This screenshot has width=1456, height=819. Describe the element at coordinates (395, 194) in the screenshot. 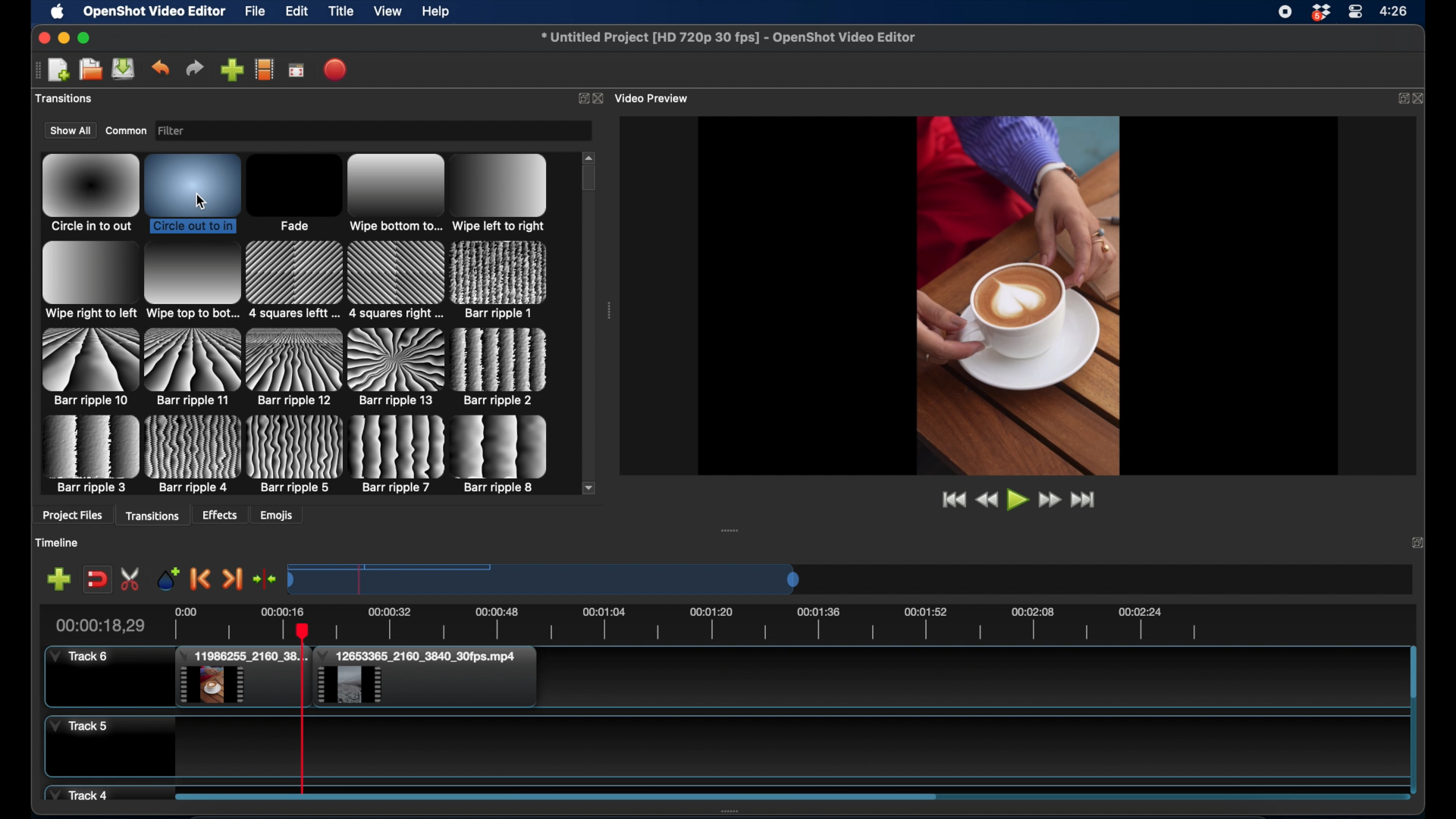

I see `transition` at that location.